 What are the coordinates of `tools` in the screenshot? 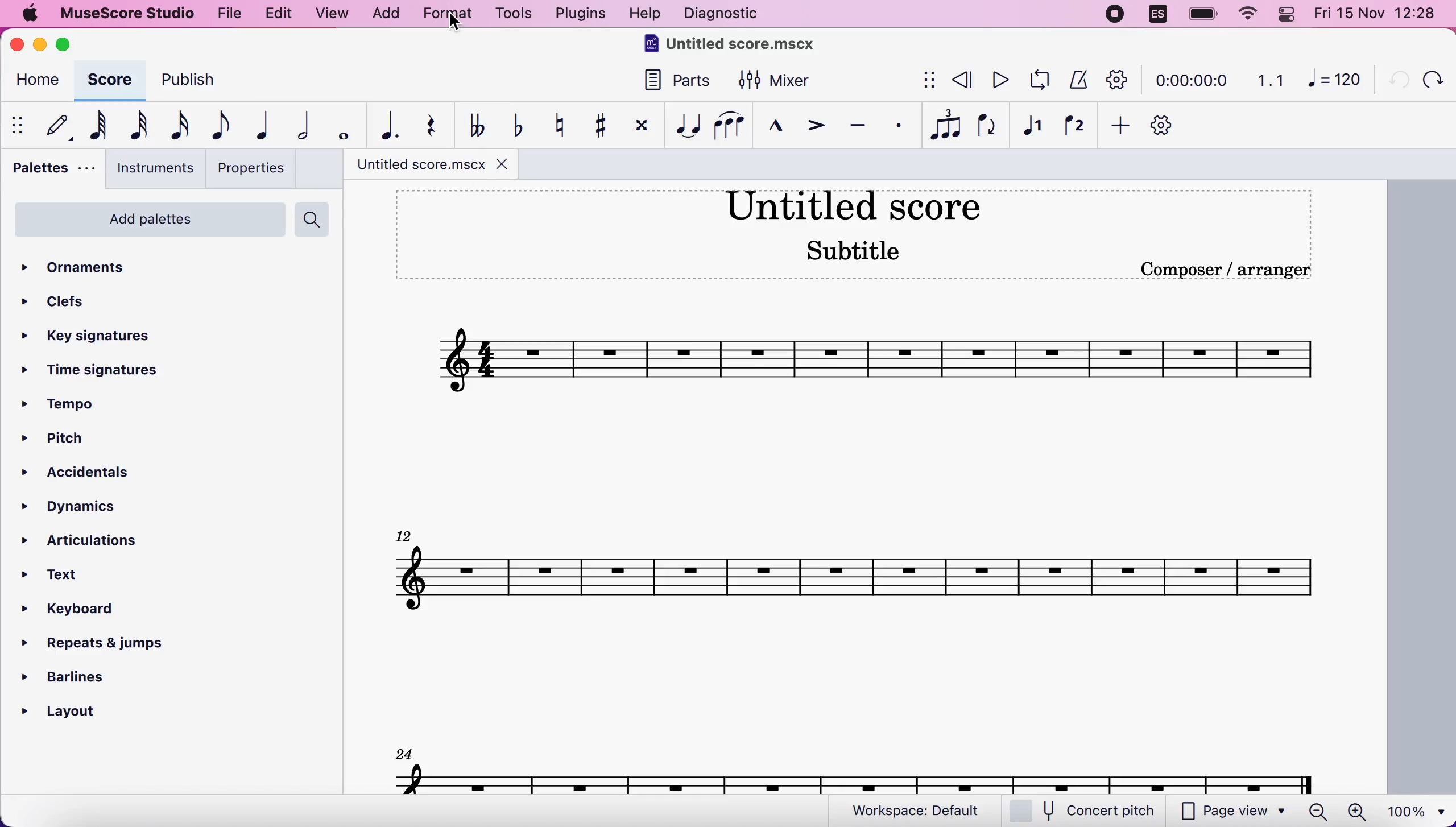 It's located at (512, 15).